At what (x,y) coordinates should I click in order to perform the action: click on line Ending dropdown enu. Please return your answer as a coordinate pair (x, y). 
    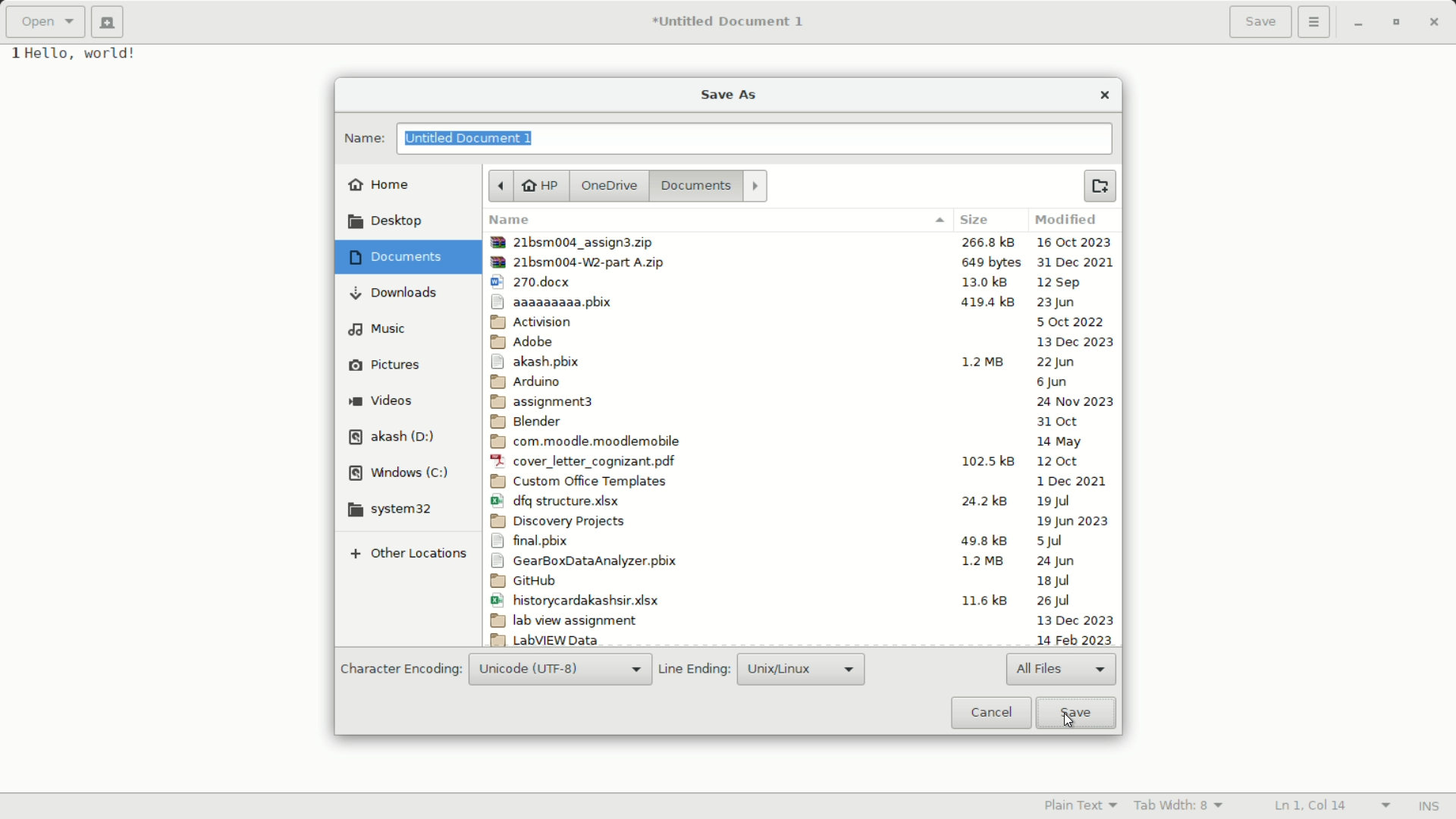
    Looking at the image, I should click on (799, 668).